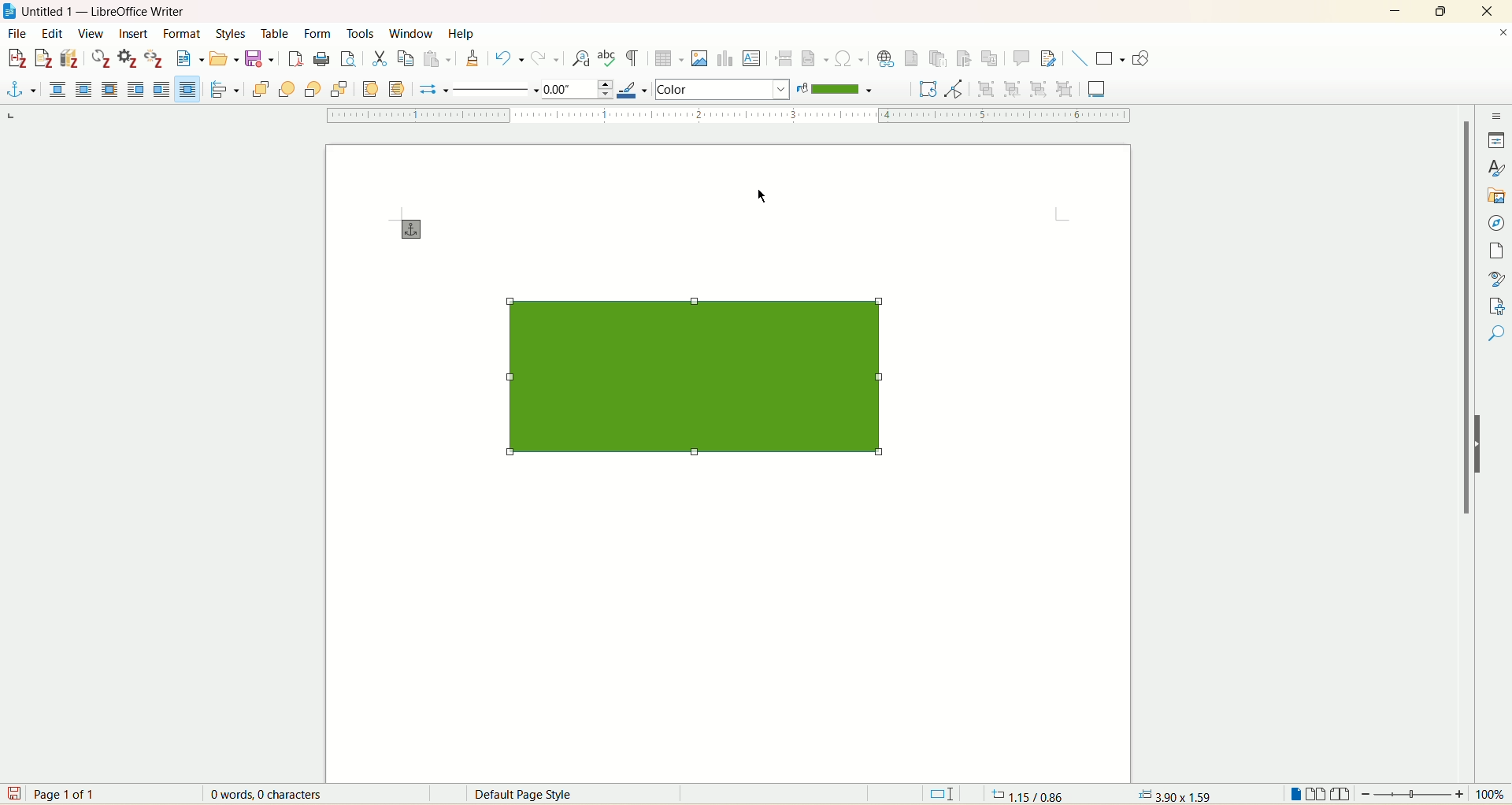  Describe the element at coordinates (547, 60) in the screenshot. I see `redo` at that location.